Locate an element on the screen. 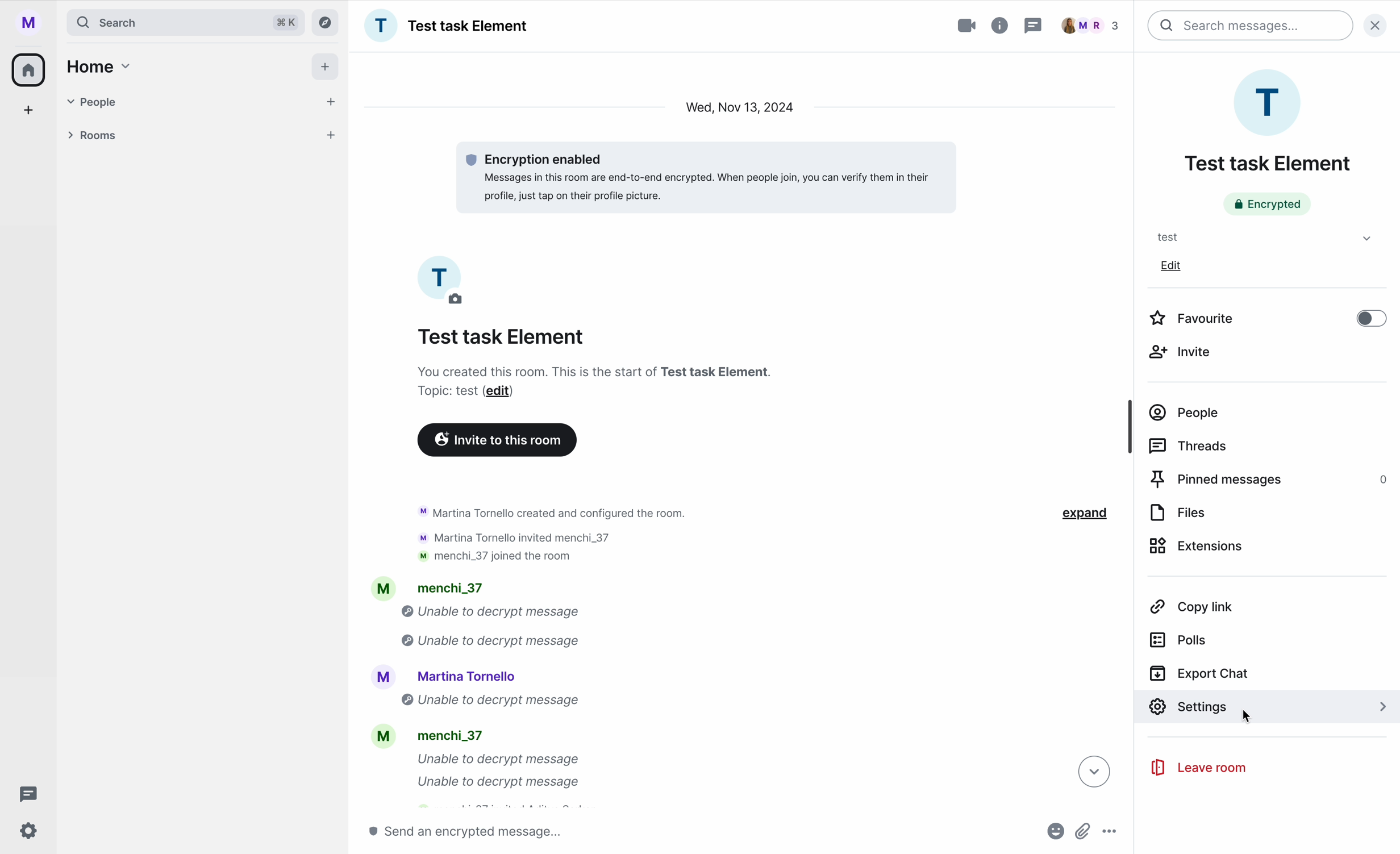 The height and width of the screenshot is (854, 1400). close is located at coordinates (1380, 24).